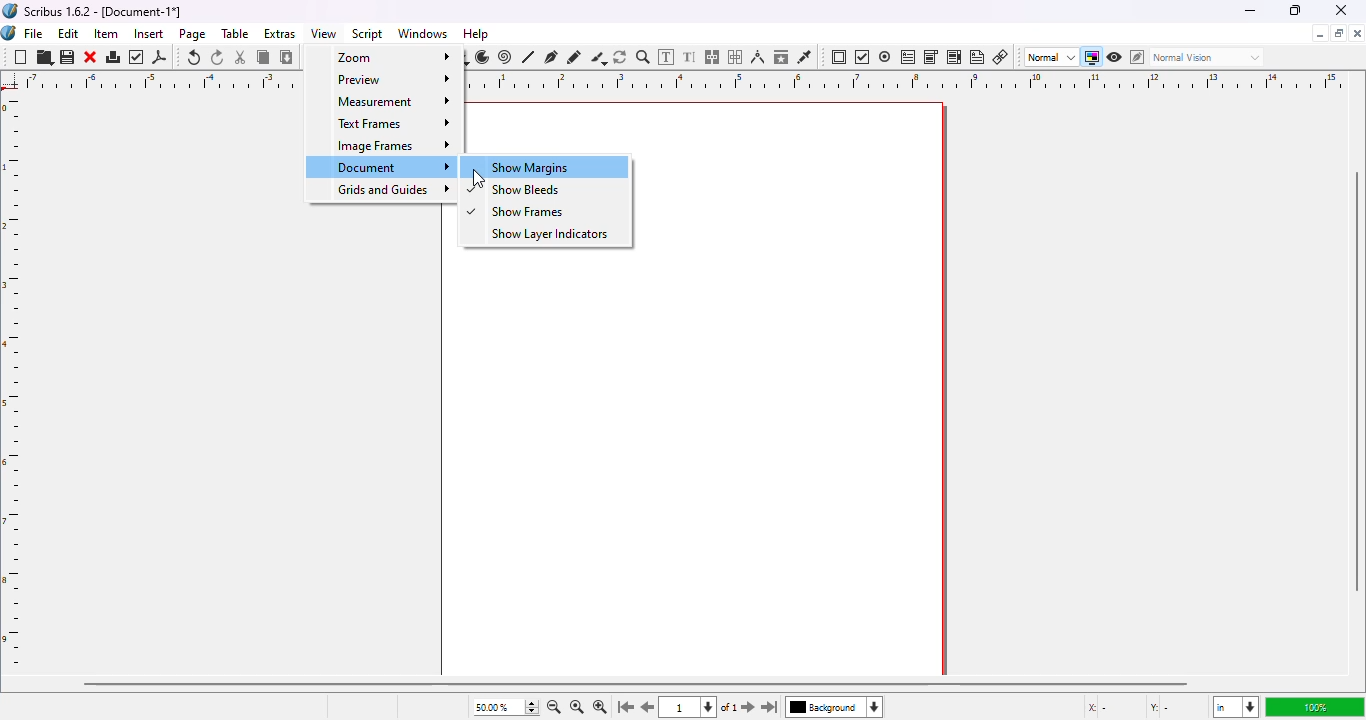 This screenshot has height=720, width=1366. Describe the element at coordinates (263, 57) in the screenshot. I see `copy` at that location.